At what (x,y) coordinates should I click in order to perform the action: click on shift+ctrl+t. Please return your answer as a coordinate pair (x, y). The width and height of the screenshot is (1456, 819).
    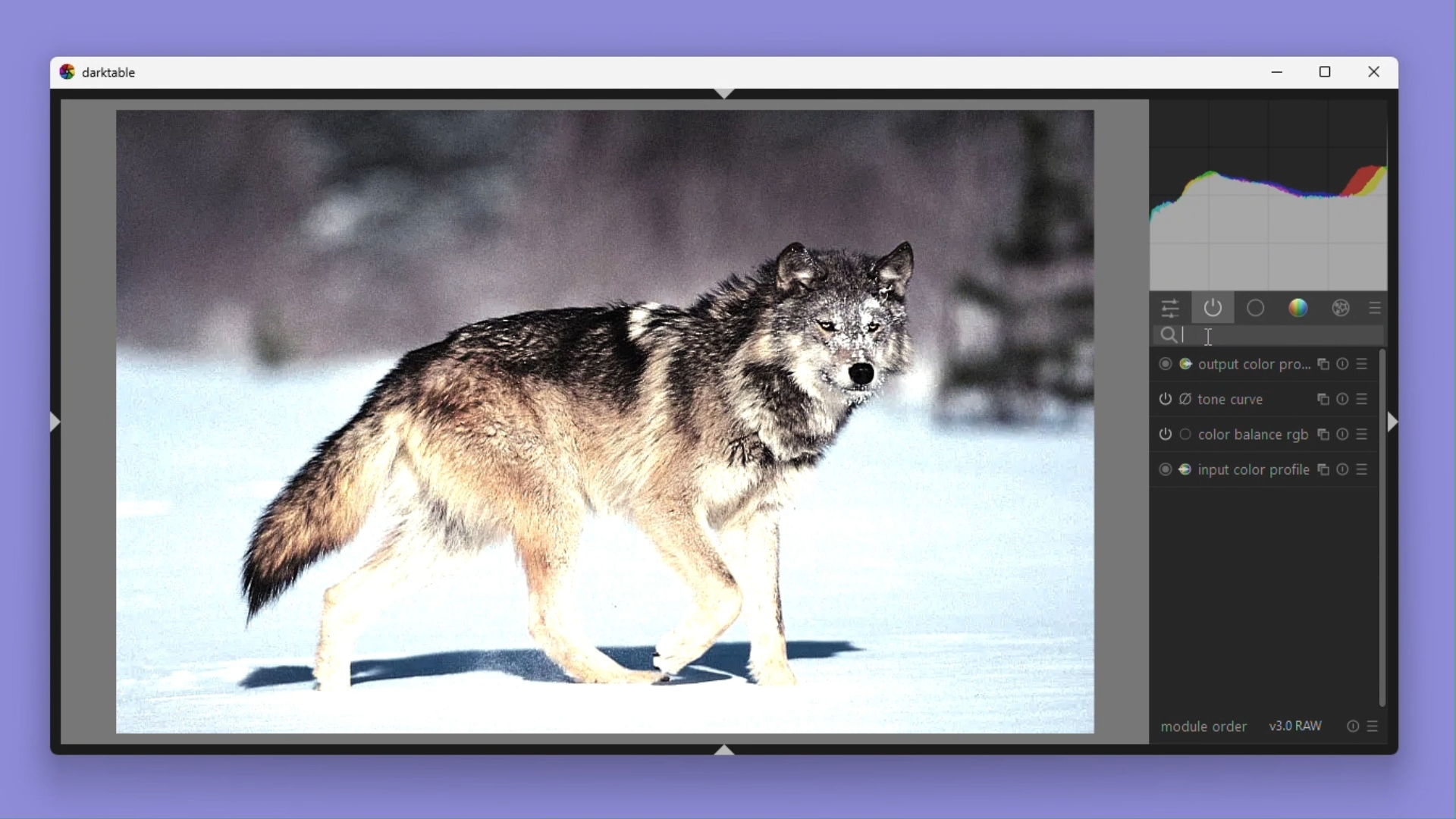
    Looking at the image, I should click on (734, 94).